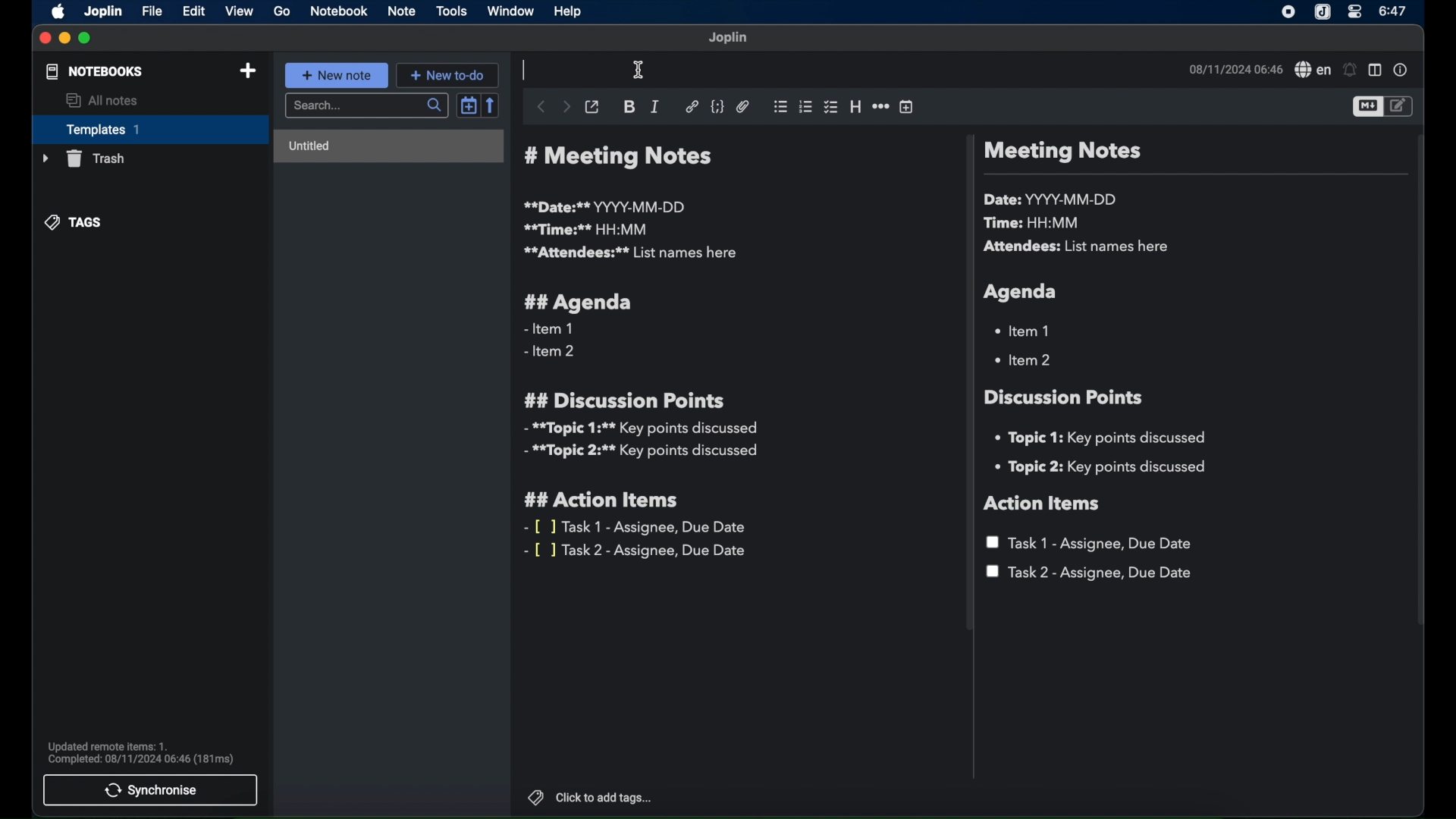 The image size is (1456, 819). I want to click on hyperlink, so click(692, 106).